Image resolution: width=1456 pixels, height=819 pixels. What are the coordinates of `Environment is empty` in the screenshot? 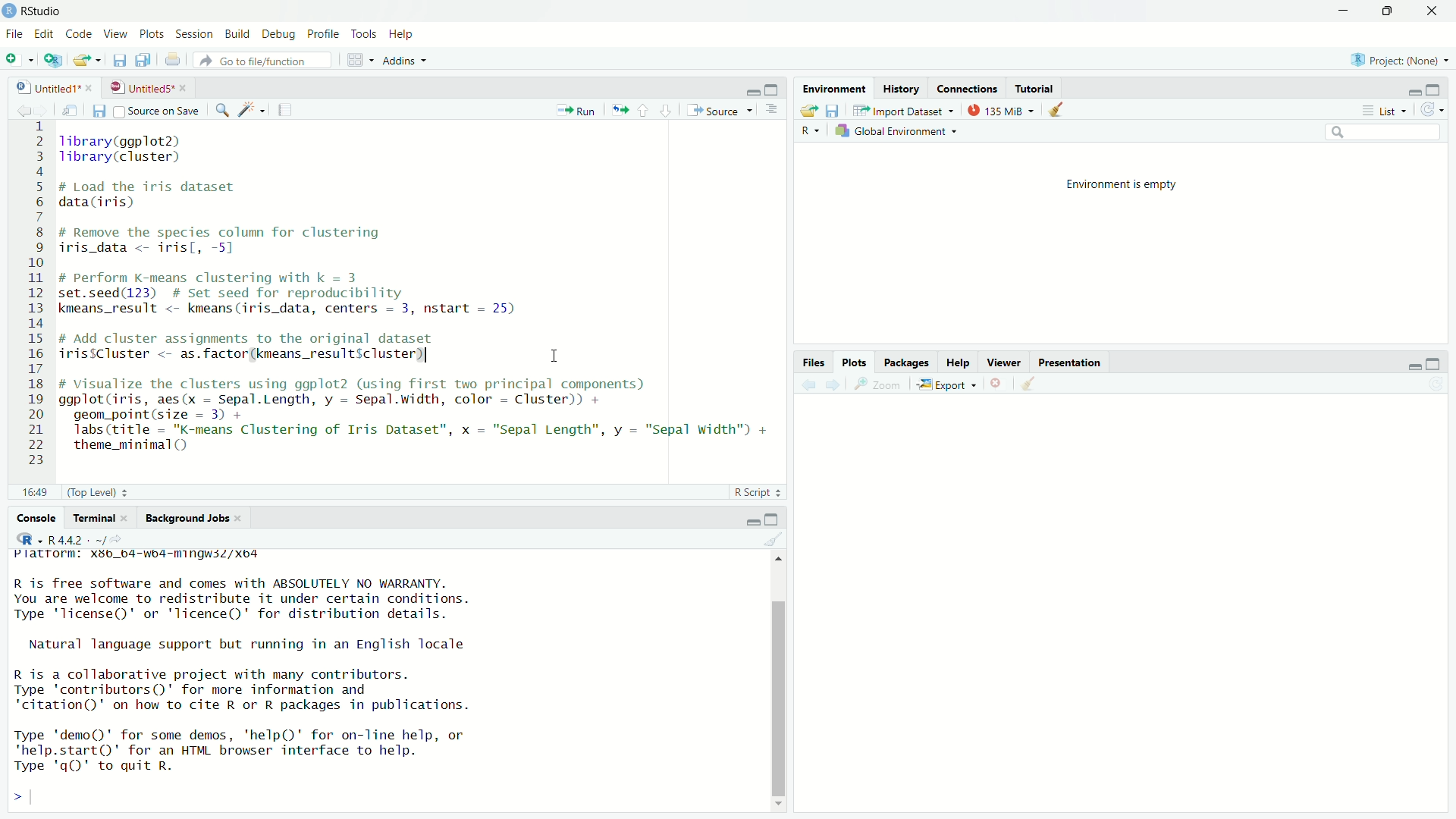 It's located at (1119, 185).